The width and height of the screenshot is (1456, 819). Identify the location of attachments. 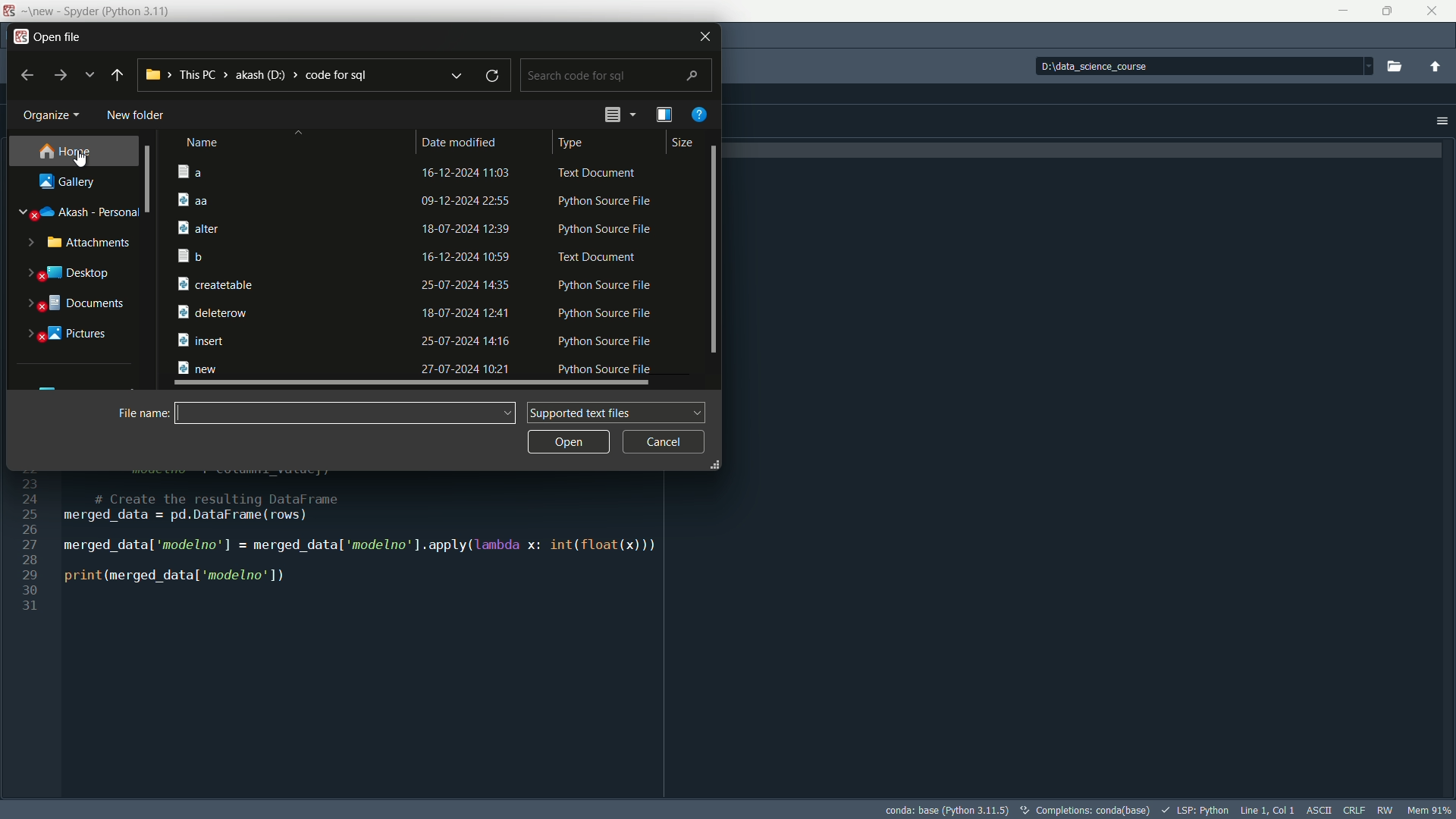
(92, 243).